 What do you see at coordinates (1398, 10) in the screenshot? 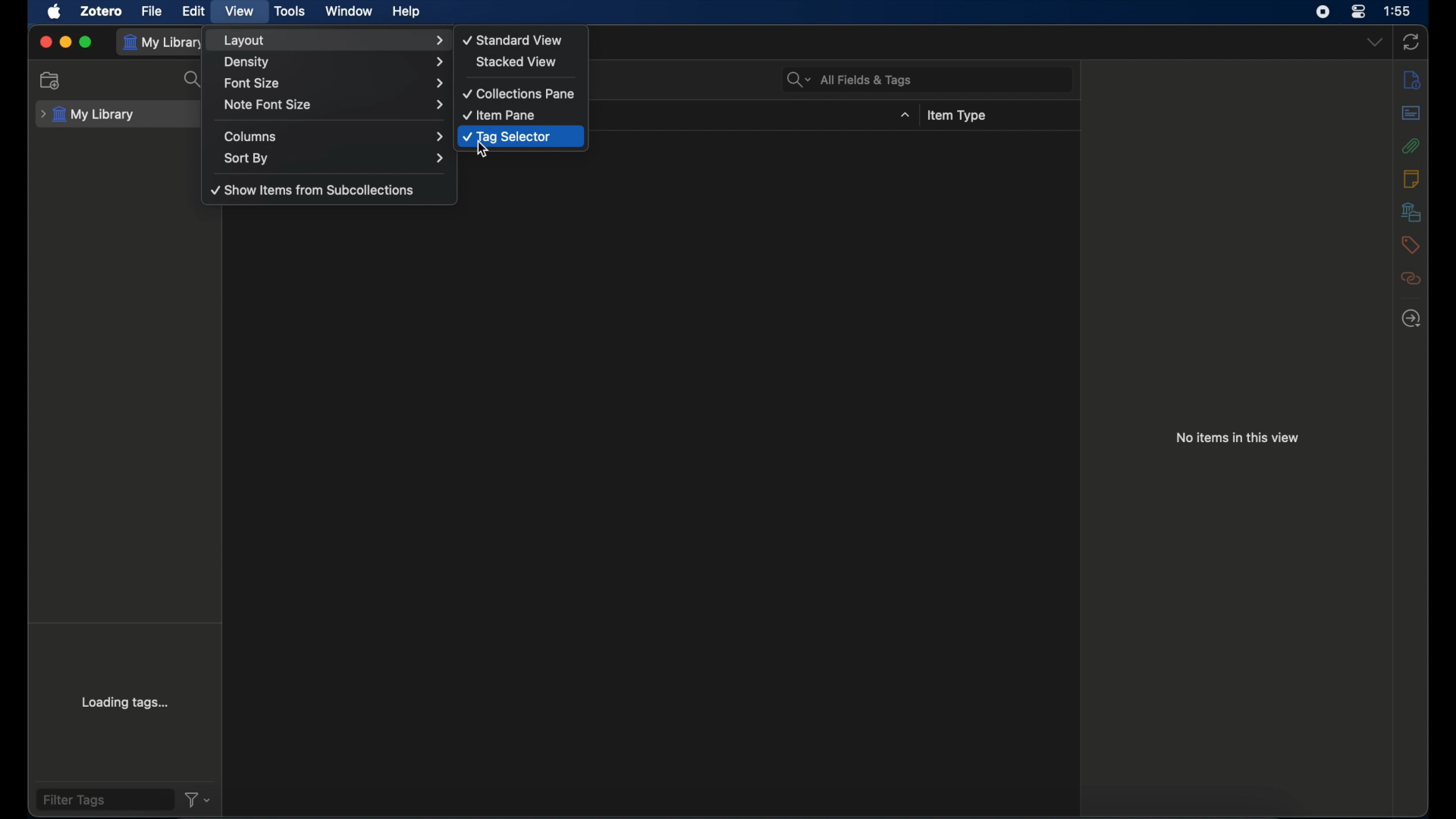
I see `time` at bounding box center [1398, 10].